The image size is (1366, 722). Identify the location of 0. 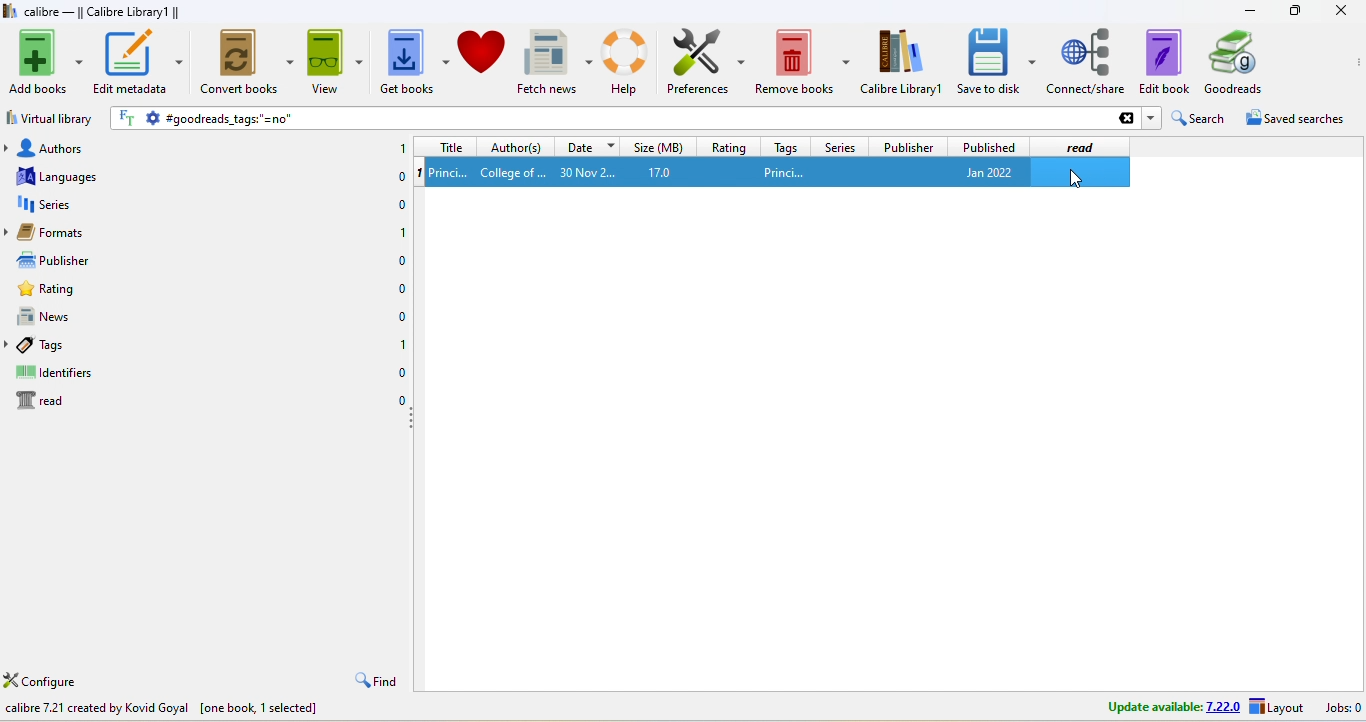
(397, 179).